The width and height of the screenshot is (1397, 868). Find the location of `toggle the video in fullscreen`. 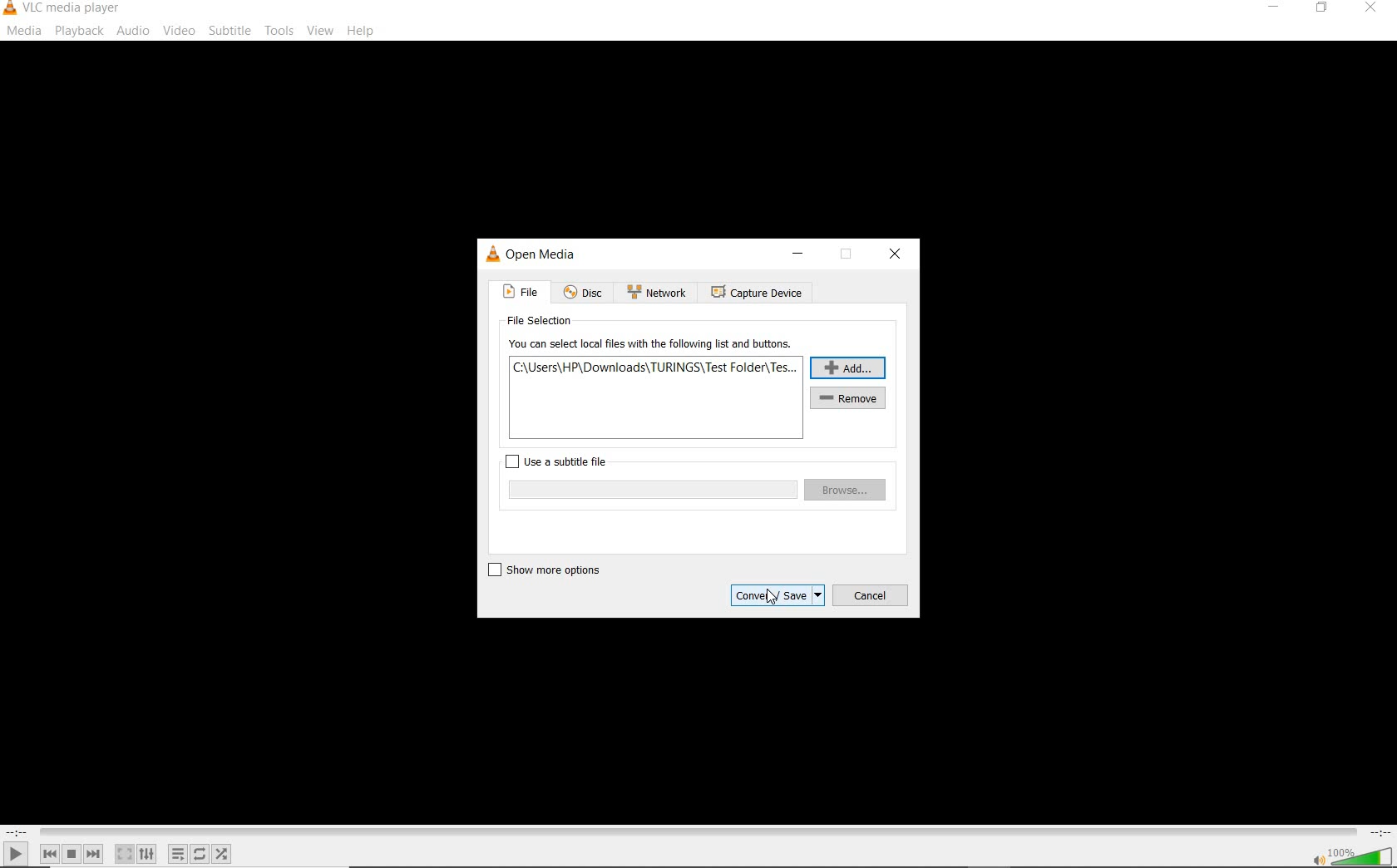

toggle the video in fullscreen is located at coordinates (124, 854).